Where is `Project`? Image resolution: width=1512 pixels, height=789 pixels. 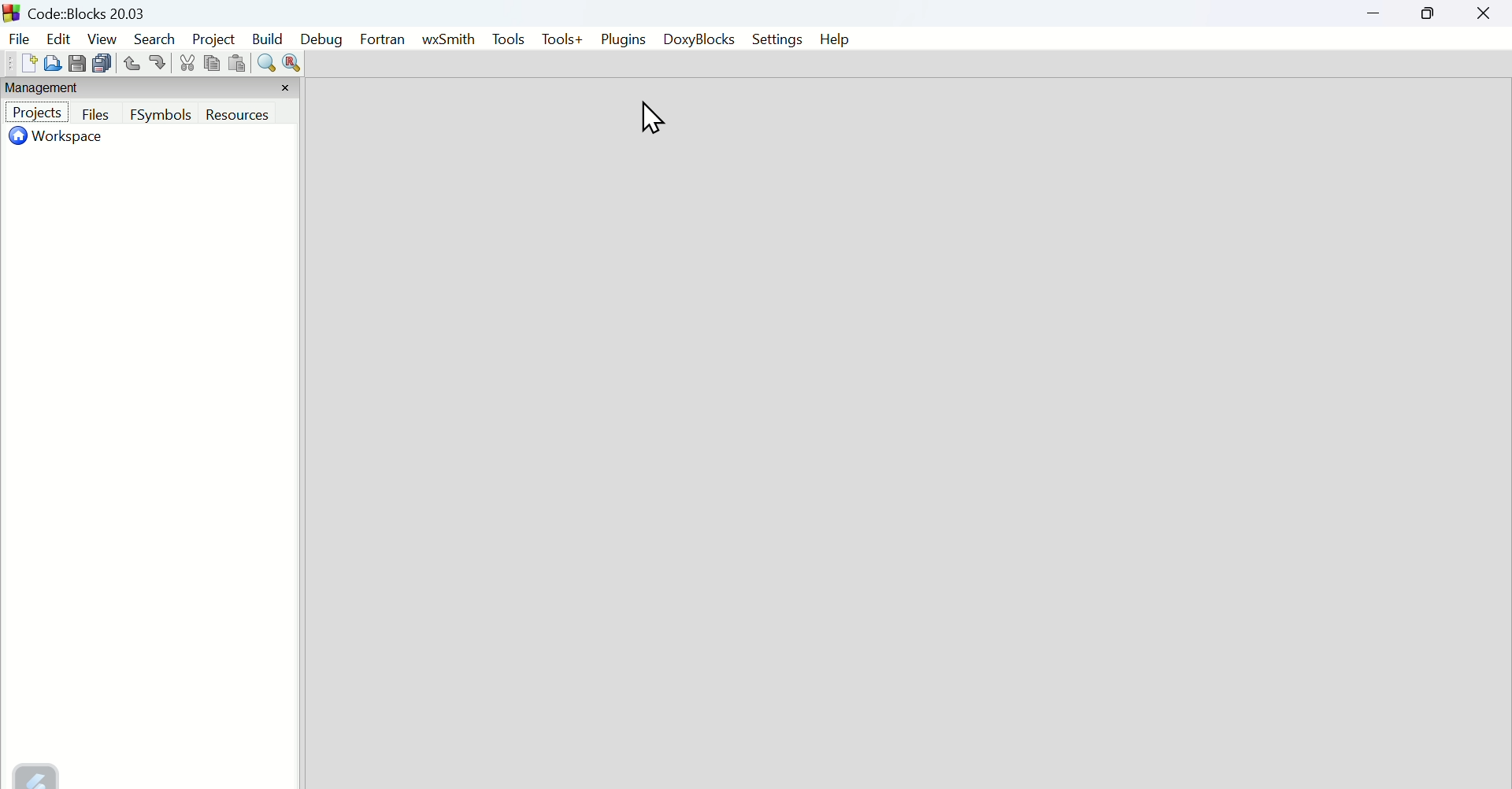 Project is located at coordinates (213, 39).